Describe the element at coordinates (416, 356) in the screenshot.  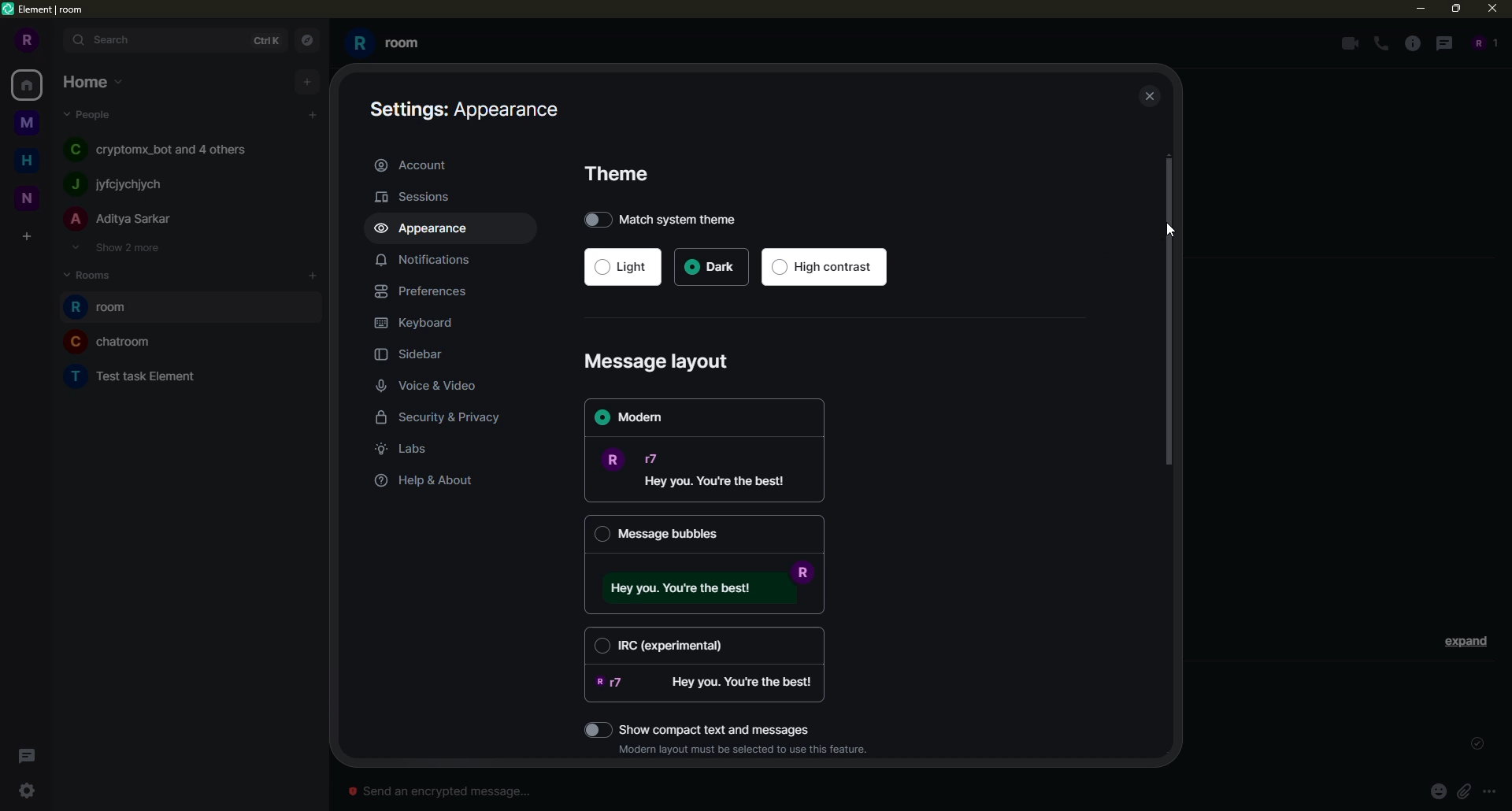
I see `sidebar` at that location.